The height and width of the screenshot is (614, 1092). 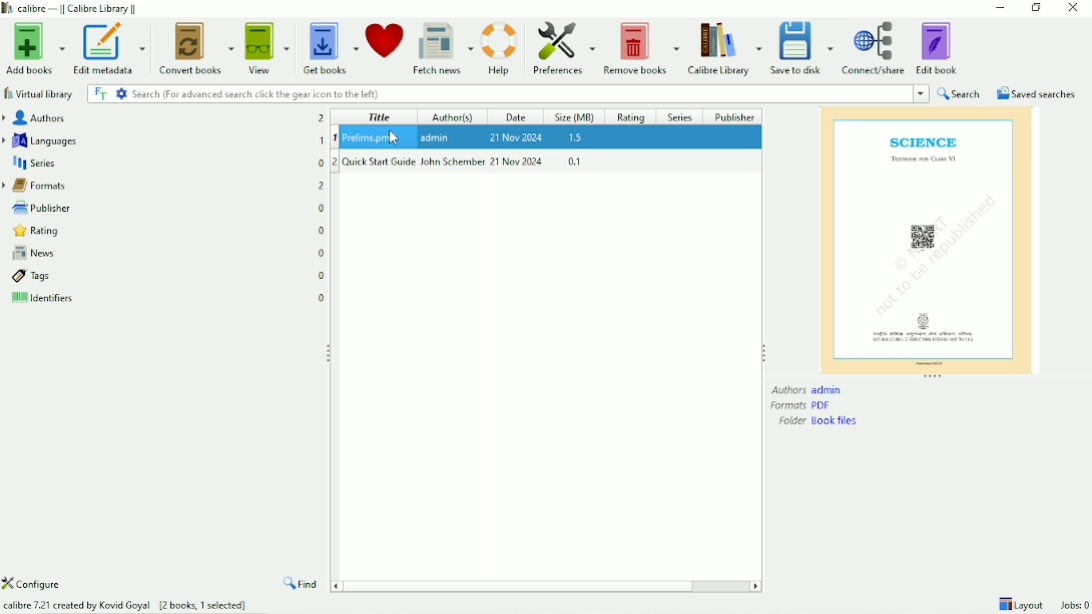 What do you see at coordinates (996, 8) in the screenshot?
I see `Minimize` at bounding box center [996, 8].